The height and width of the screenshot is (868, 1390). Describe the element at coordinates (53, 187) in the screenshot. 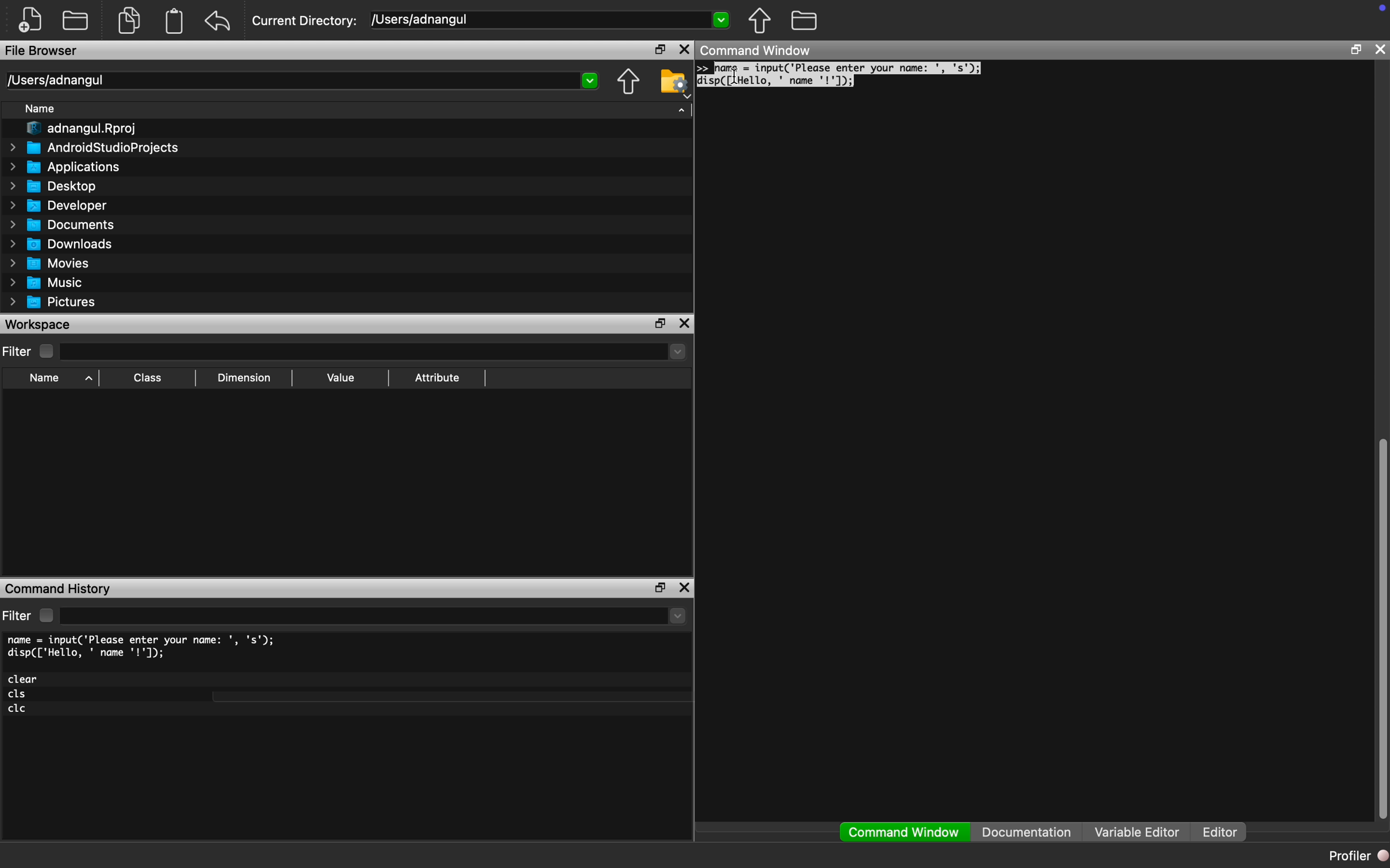

I see `Desktop` at that location.